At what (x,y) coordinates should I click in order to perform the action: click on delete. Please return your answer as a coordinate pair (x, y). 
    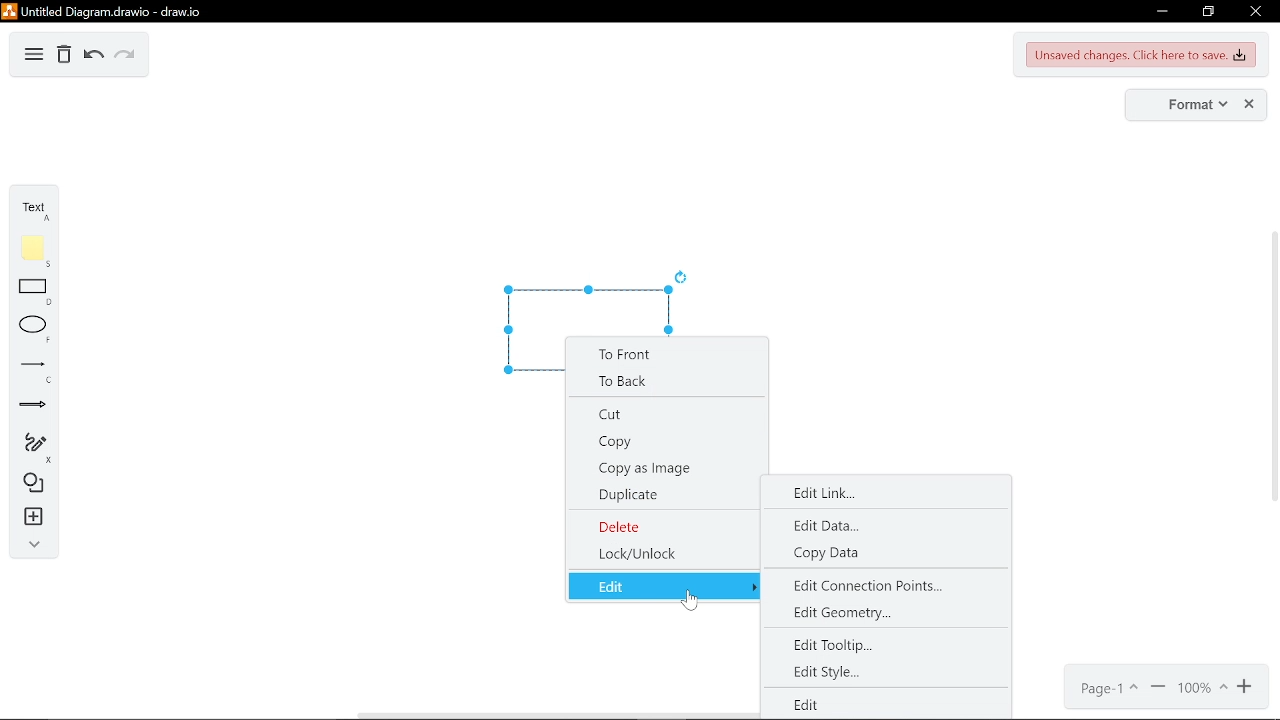
    Looking at the image, I should click on (662, 526).